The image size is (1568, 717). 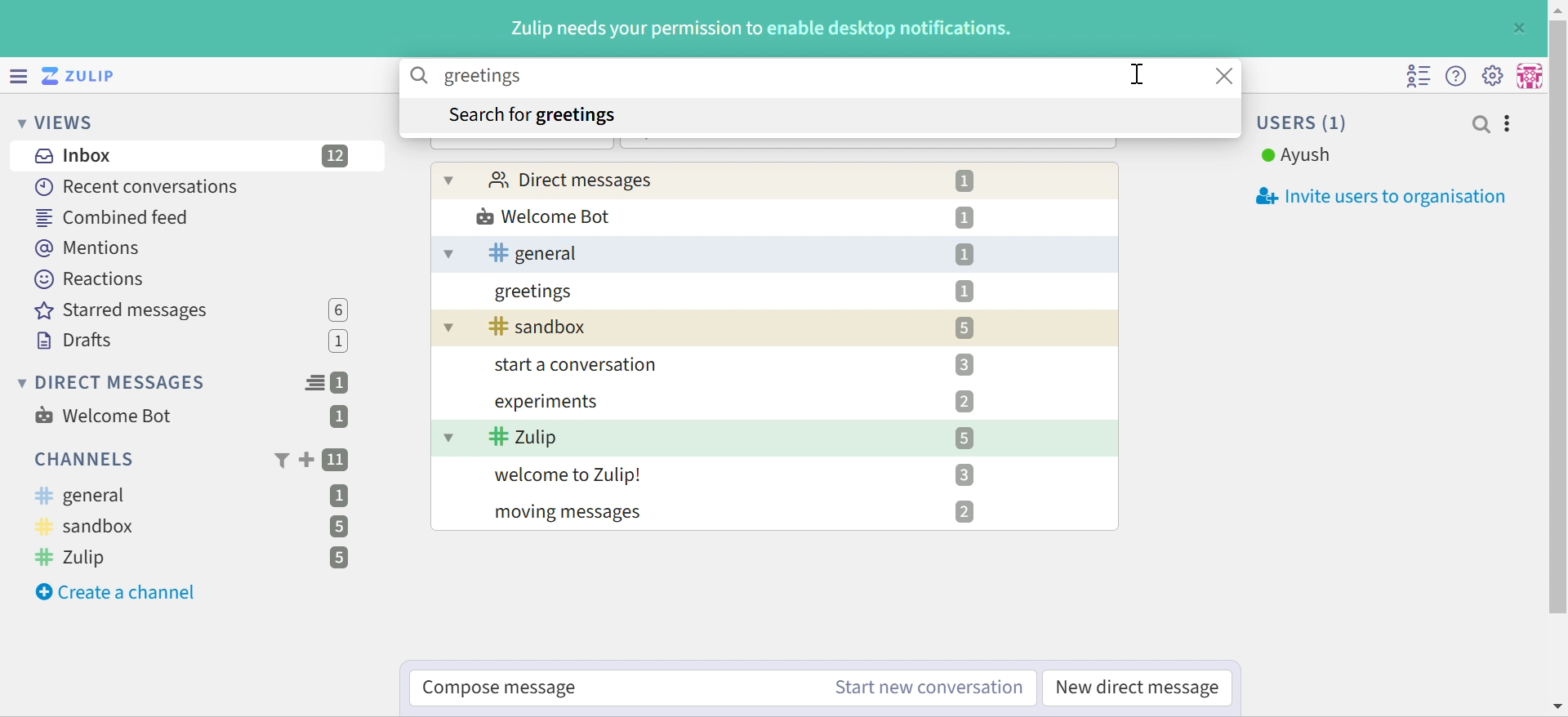 I want to click on Search one person, so click(x=1481, y=124).